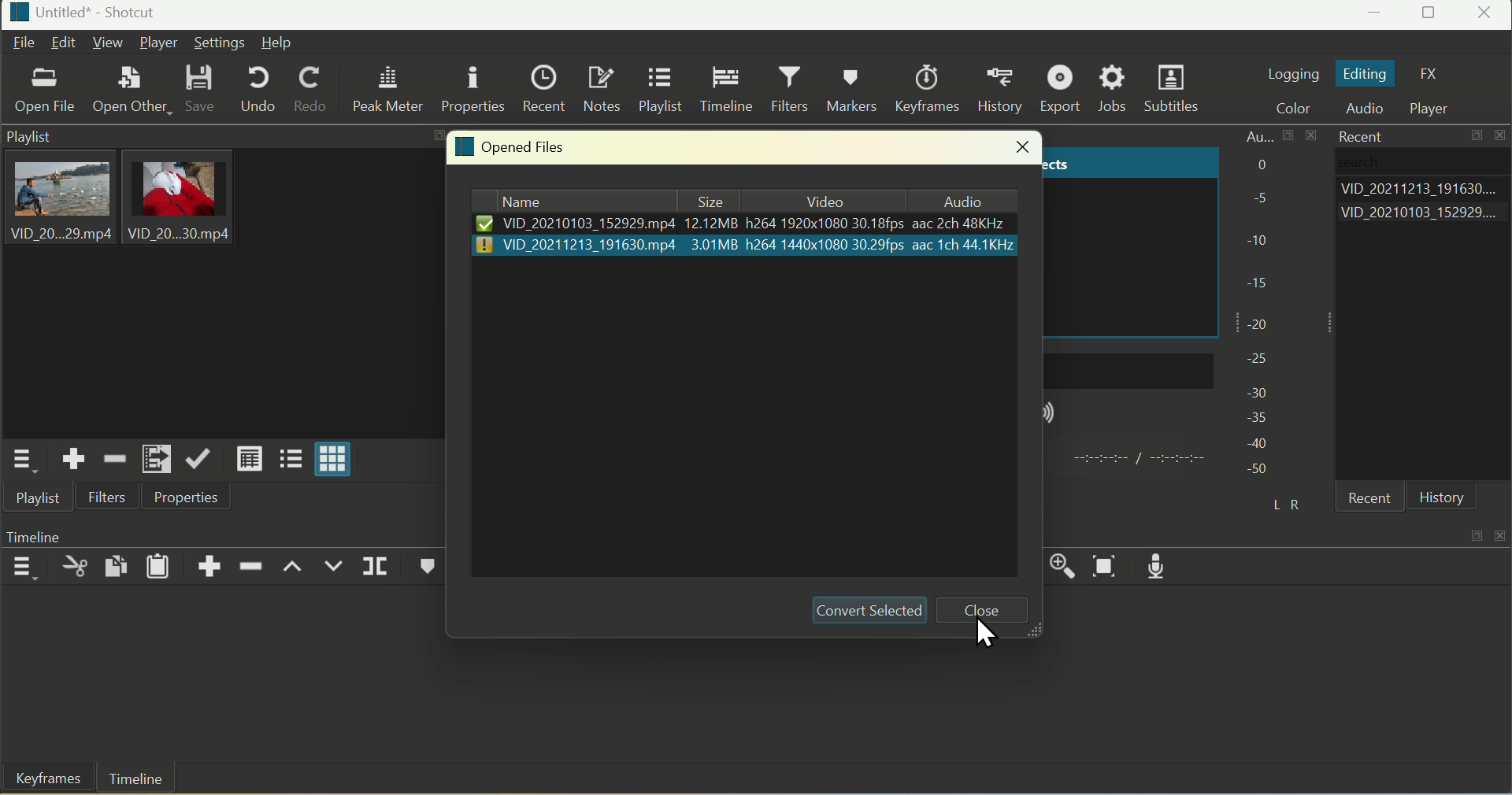  Describe the element at coordinates (391, 91) in the screenshot. I see `Peak Meter` at that location.